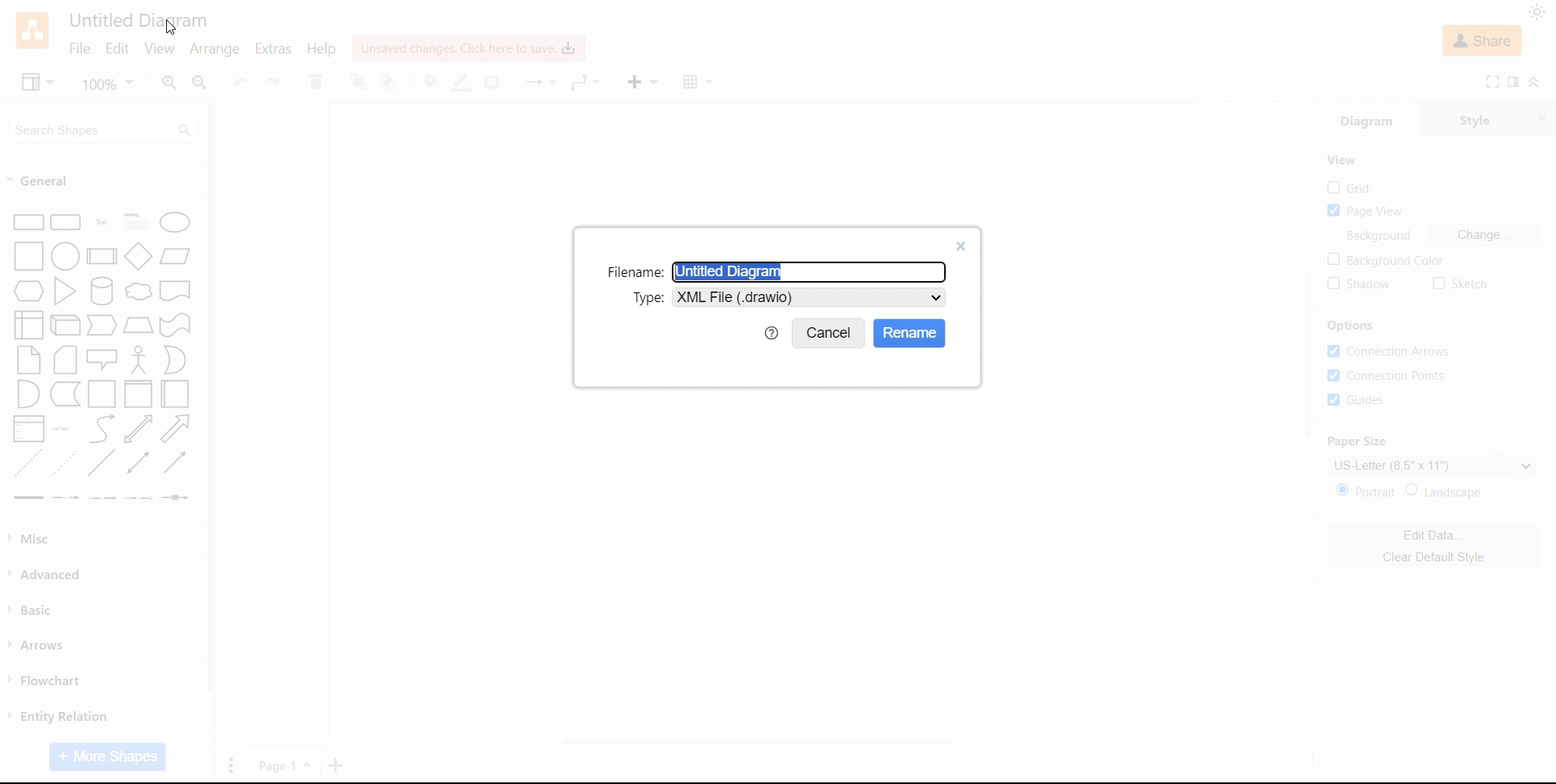 This screenshot has width=1556, height=784. I want to click on Select paper size , so click(1431, 465).